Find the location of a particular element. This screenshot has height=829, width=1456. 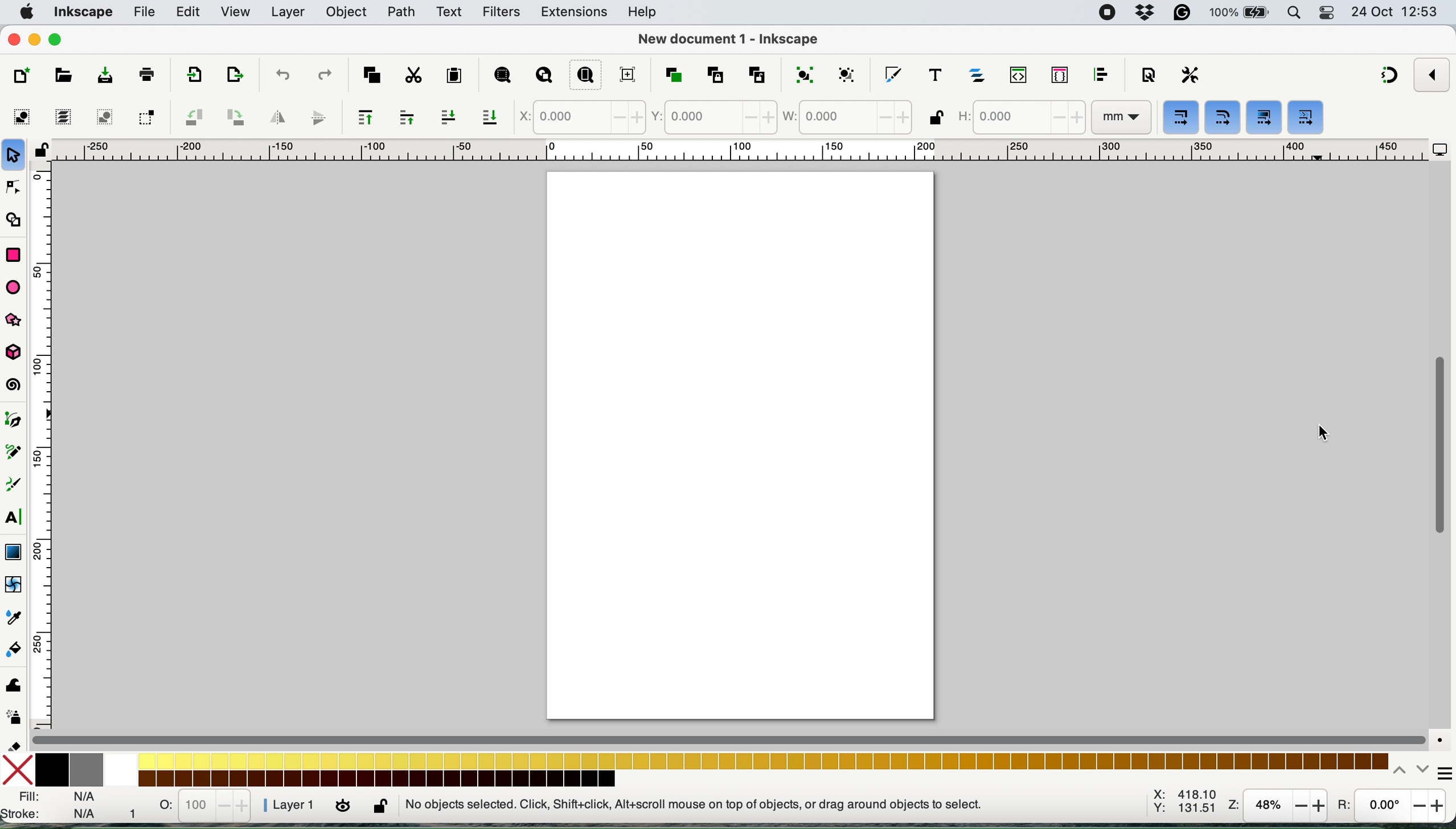

copy is located at coordinates (372, 75).